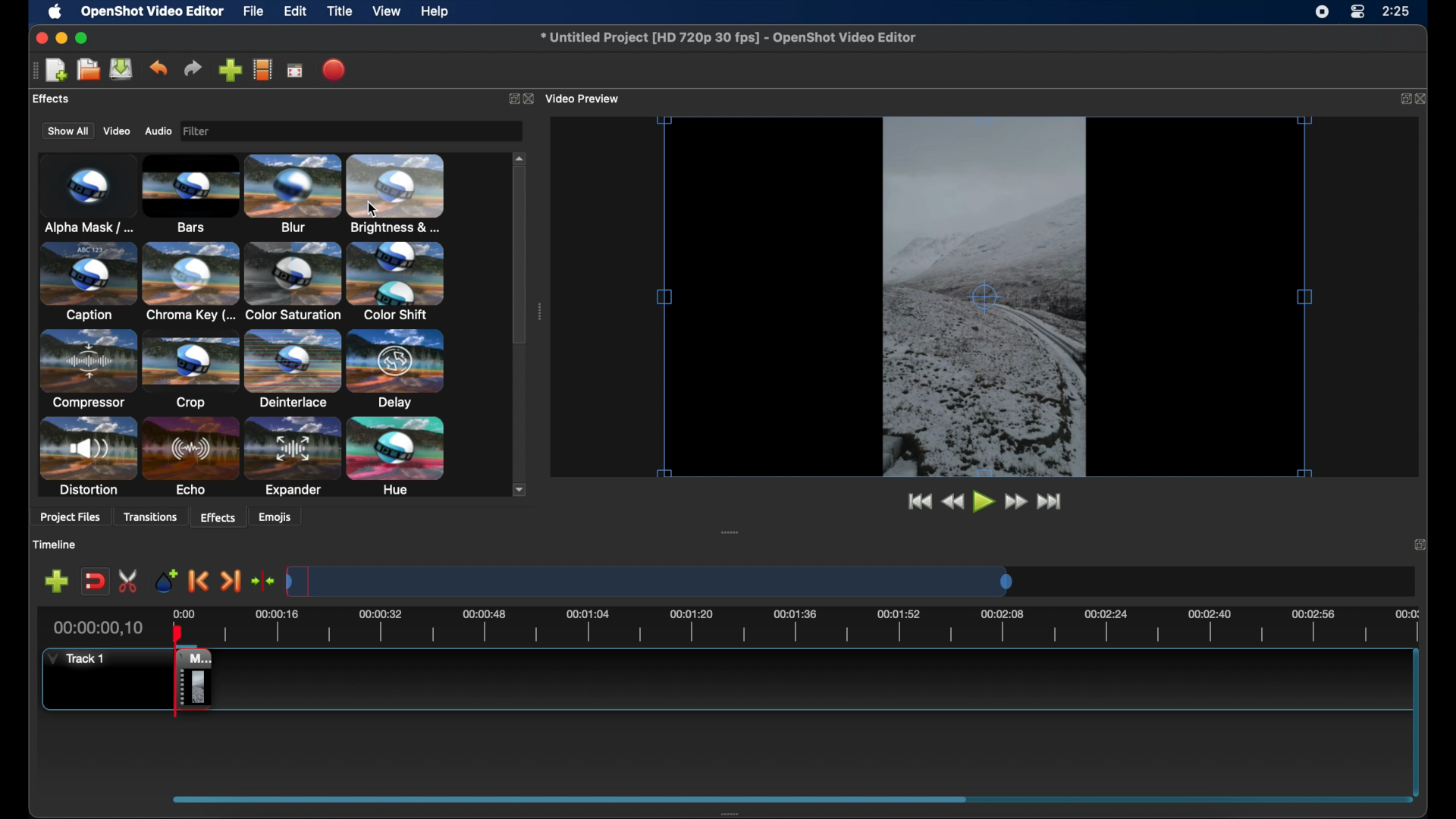 This screenshot has height=819, width=1456. Describe the element at coordinates (121, 69) in the screenshot. I see `save project files` at that location.